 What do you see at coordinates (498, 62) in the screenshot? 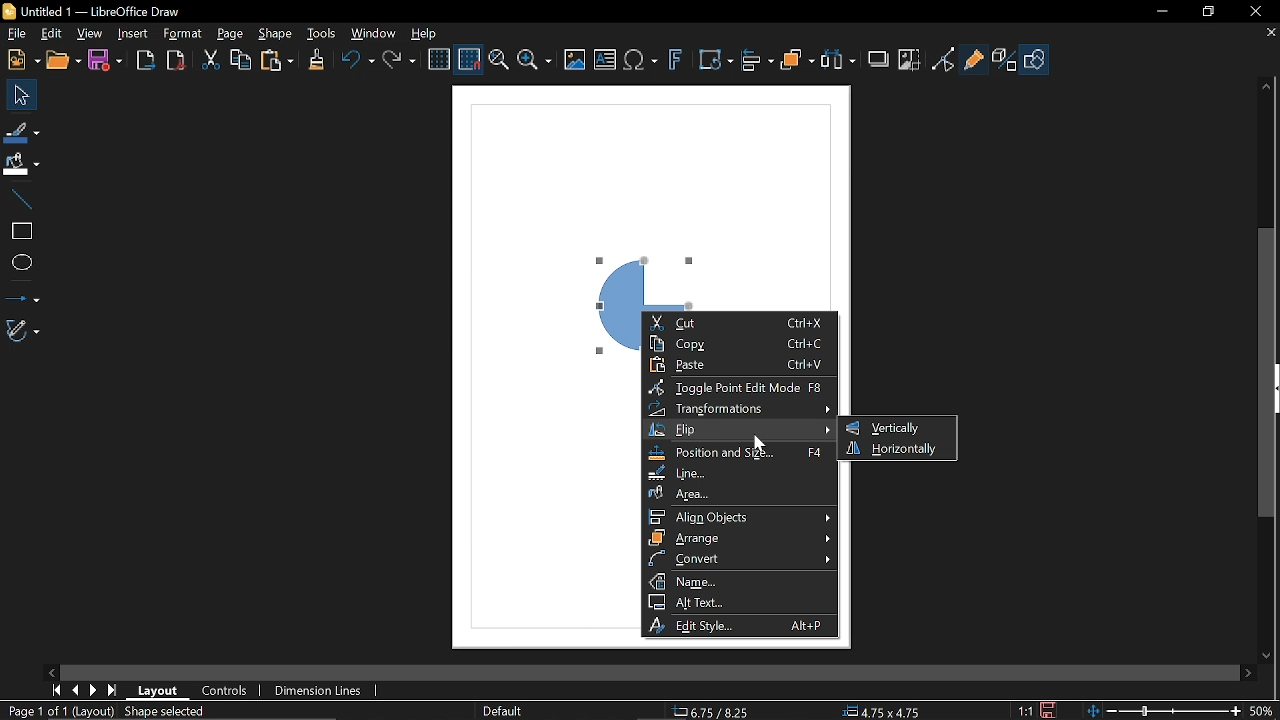
I see `Zoom and pan` at bounding box center [498, 62].